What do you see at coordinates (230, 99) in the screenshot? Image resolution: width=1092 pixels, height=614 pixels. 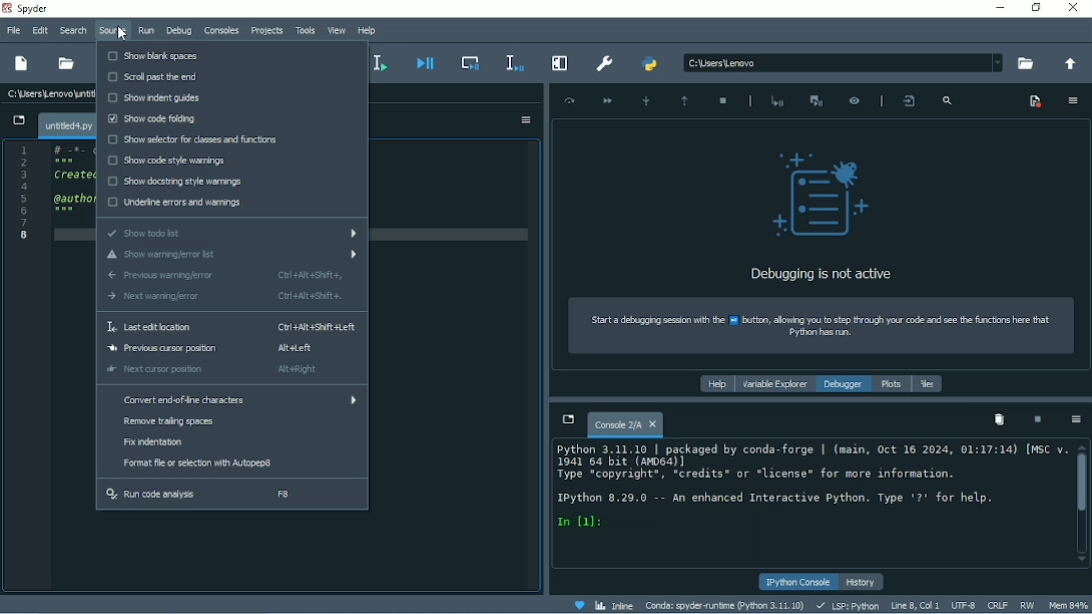 I see `Show indent guides` at bounding box center [230, 99].